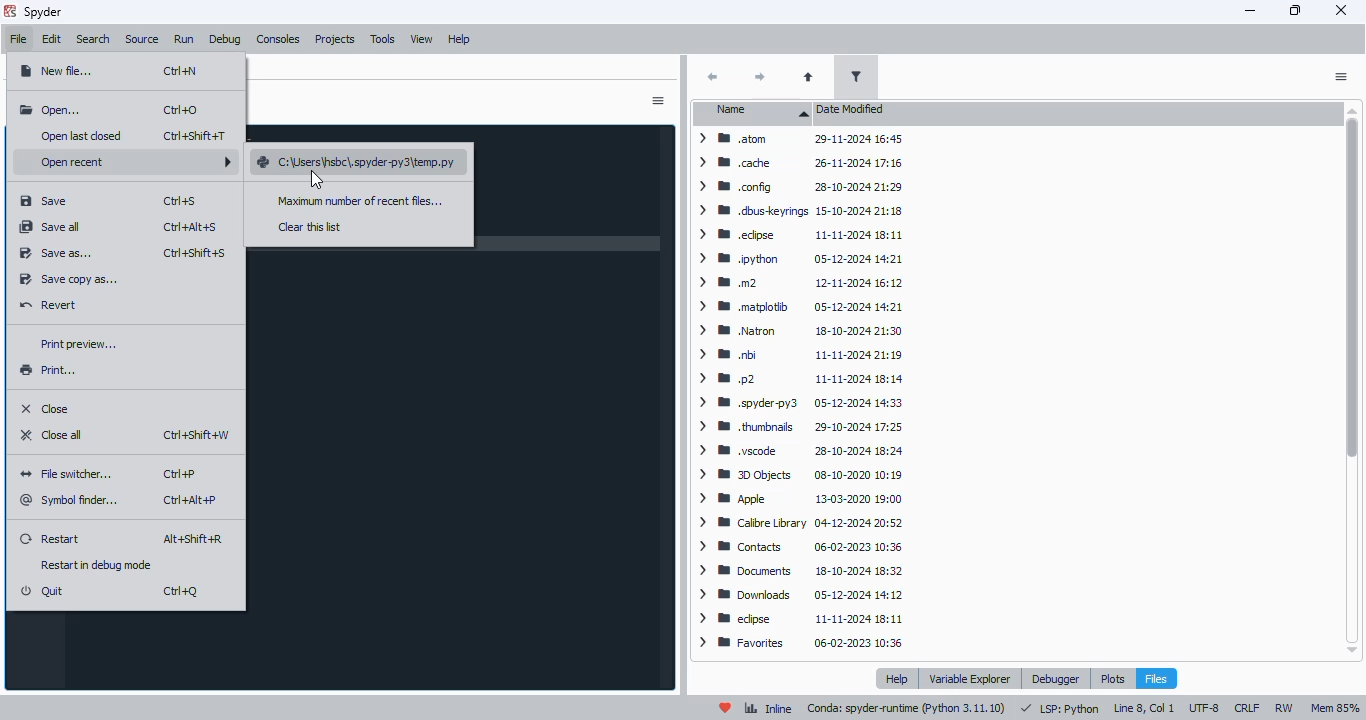  I want to click on shortcut for open last closed, so click(195, 136).